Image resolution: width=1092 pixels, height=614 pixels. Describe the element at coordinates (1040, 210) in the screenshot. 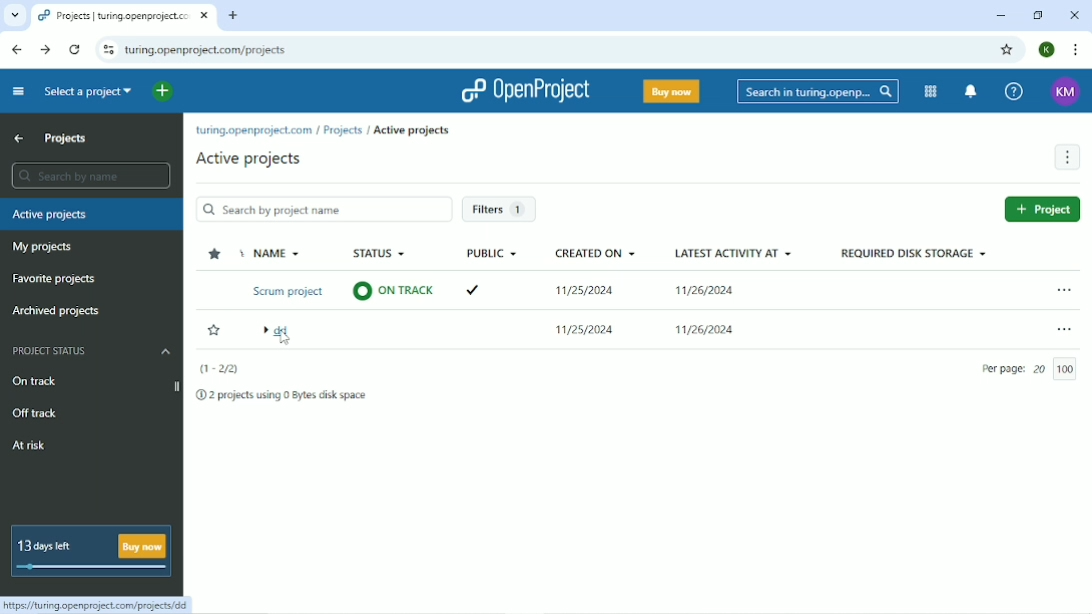

I see `New project` at that location.